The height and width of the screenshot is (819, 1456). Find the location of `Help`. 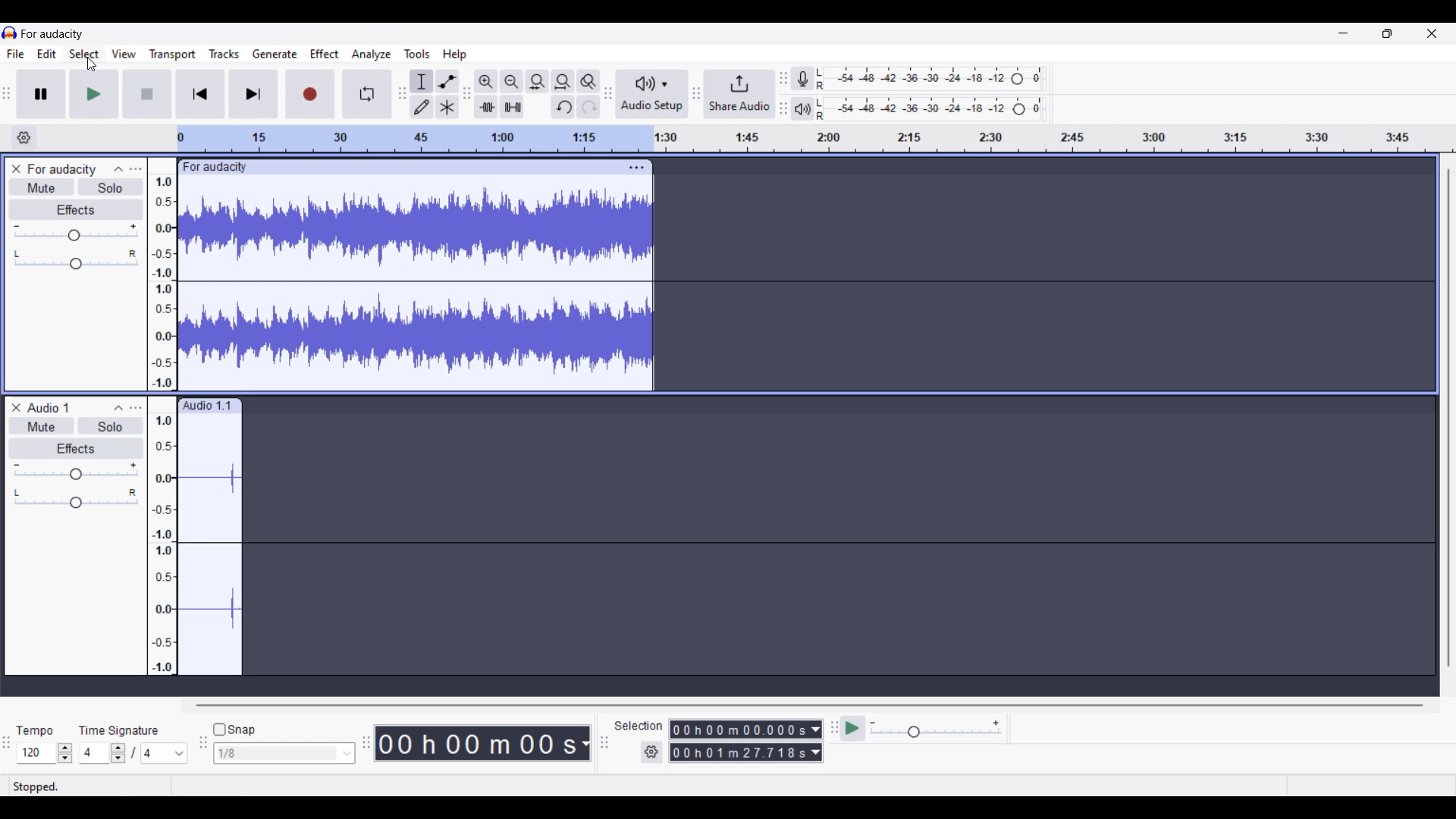

Help is located at coordinates (454, 55).